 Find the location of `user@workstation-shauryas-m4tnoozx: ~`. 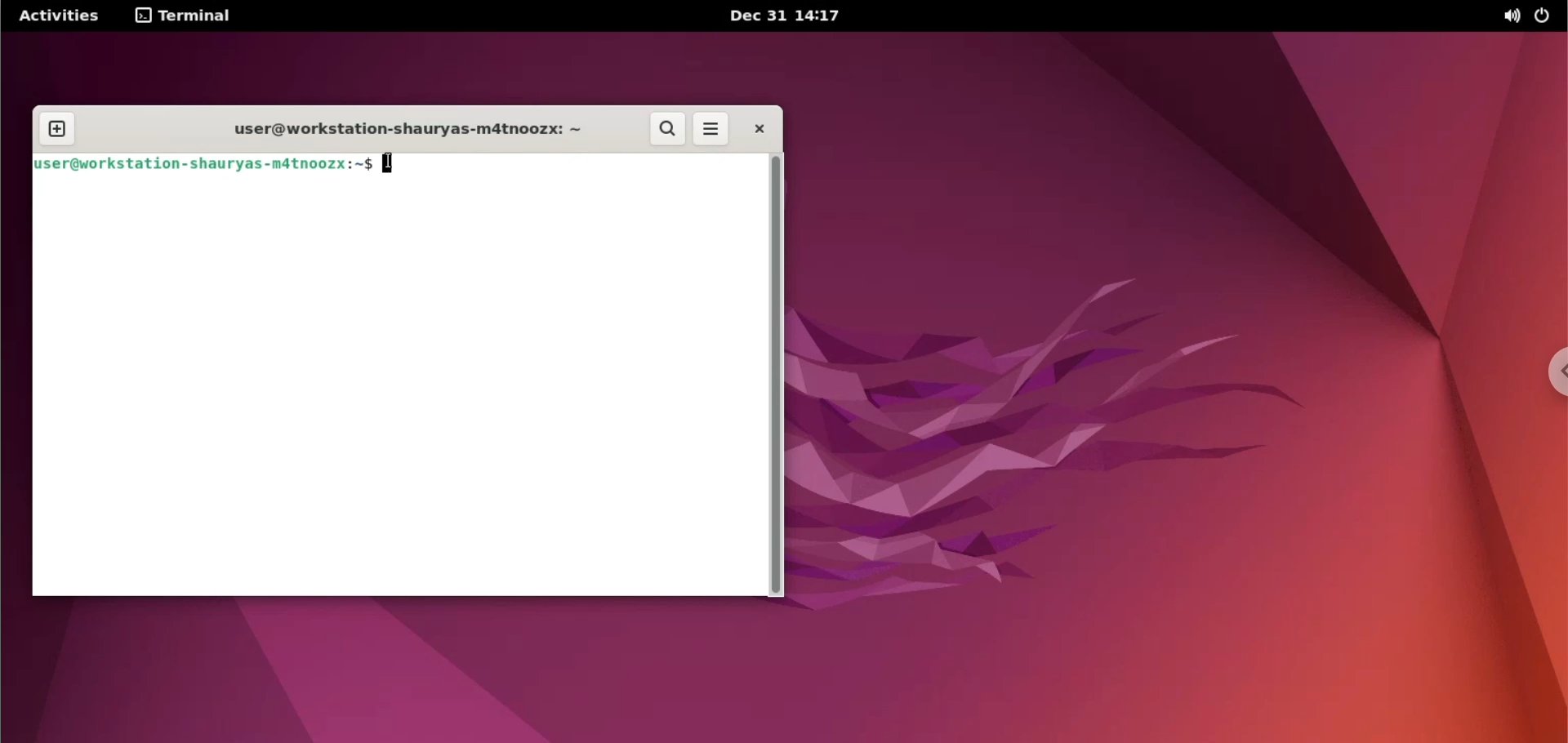

user@workstation-shauryas-m4tnoozx: ~ is located at coordinates (416, 128).